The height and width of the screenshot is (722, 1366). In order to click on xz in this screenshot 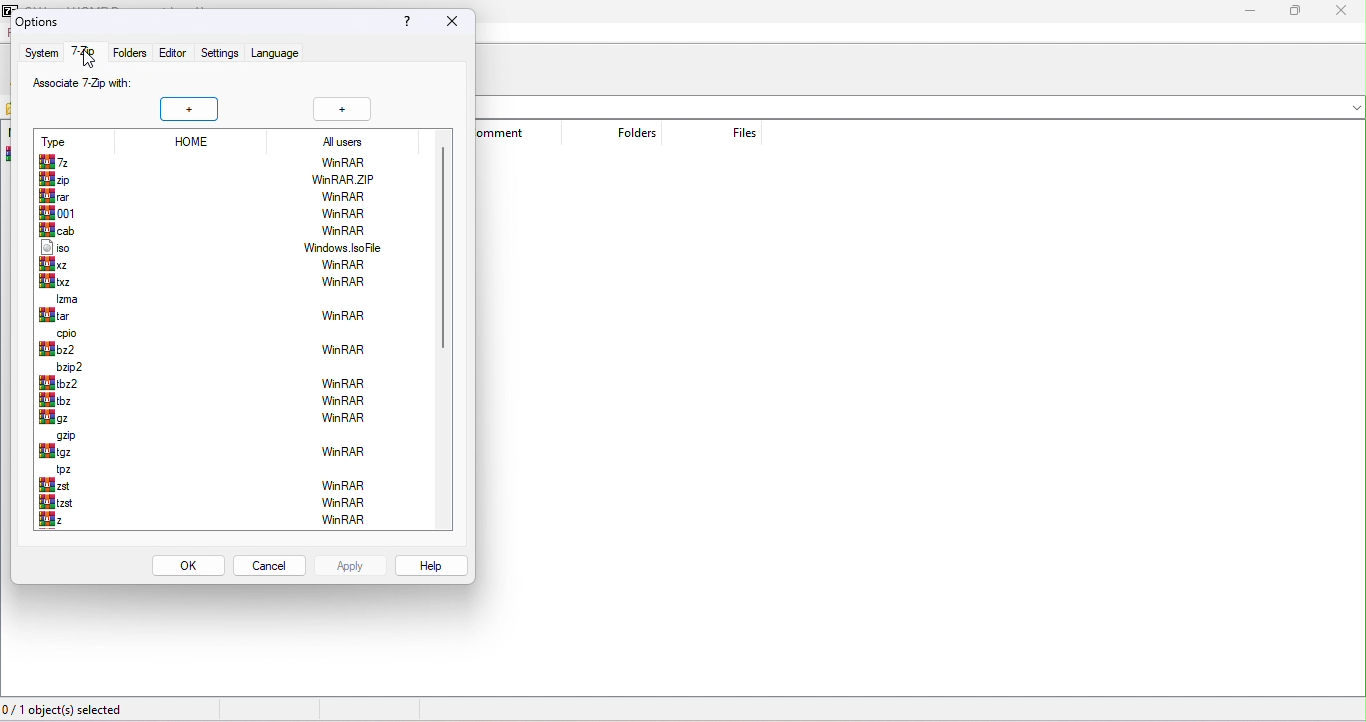, I will do `click(61, 264)`.